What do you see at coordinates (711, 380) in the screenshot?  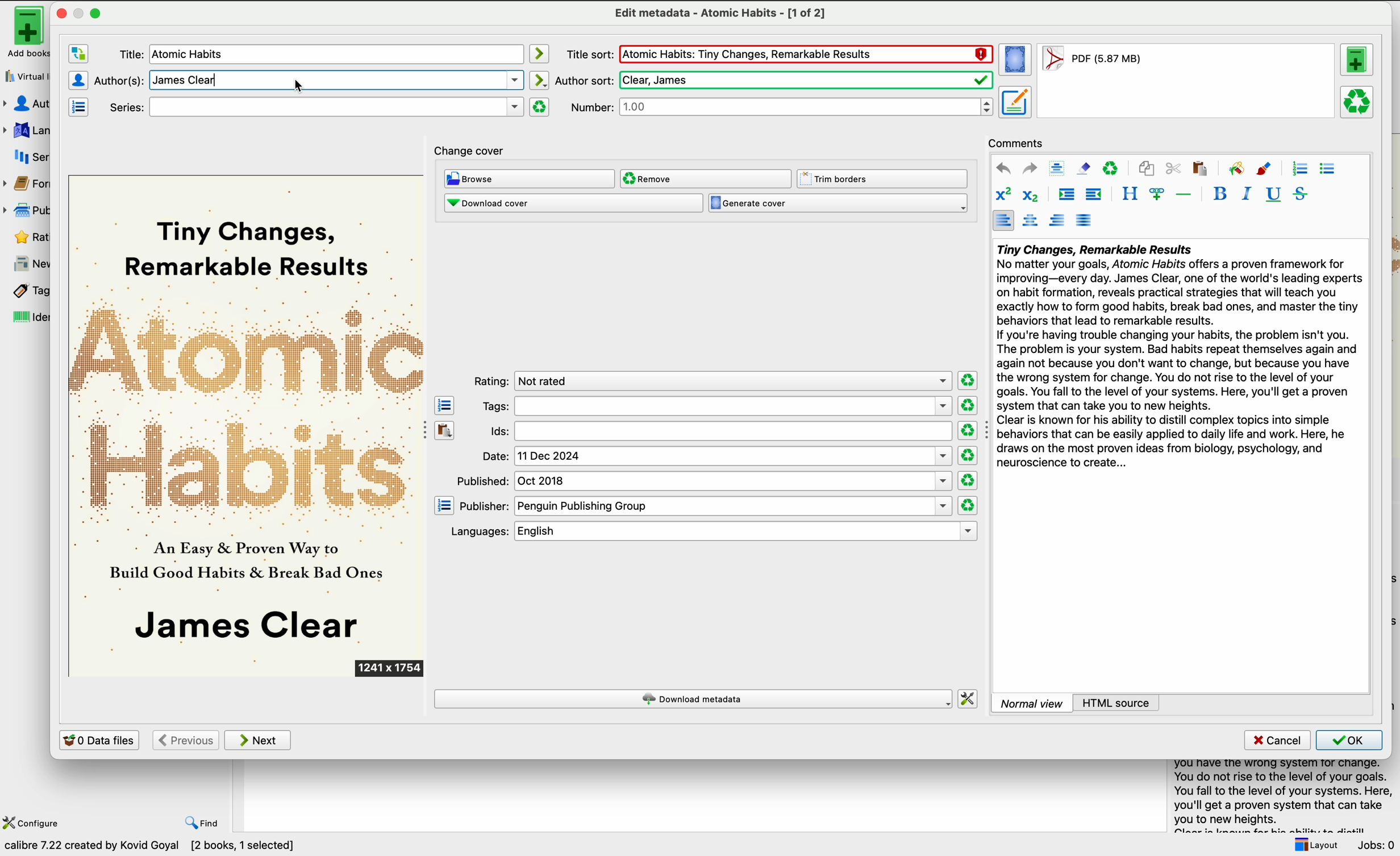 I see `rating` at bounding box center [711, 380].